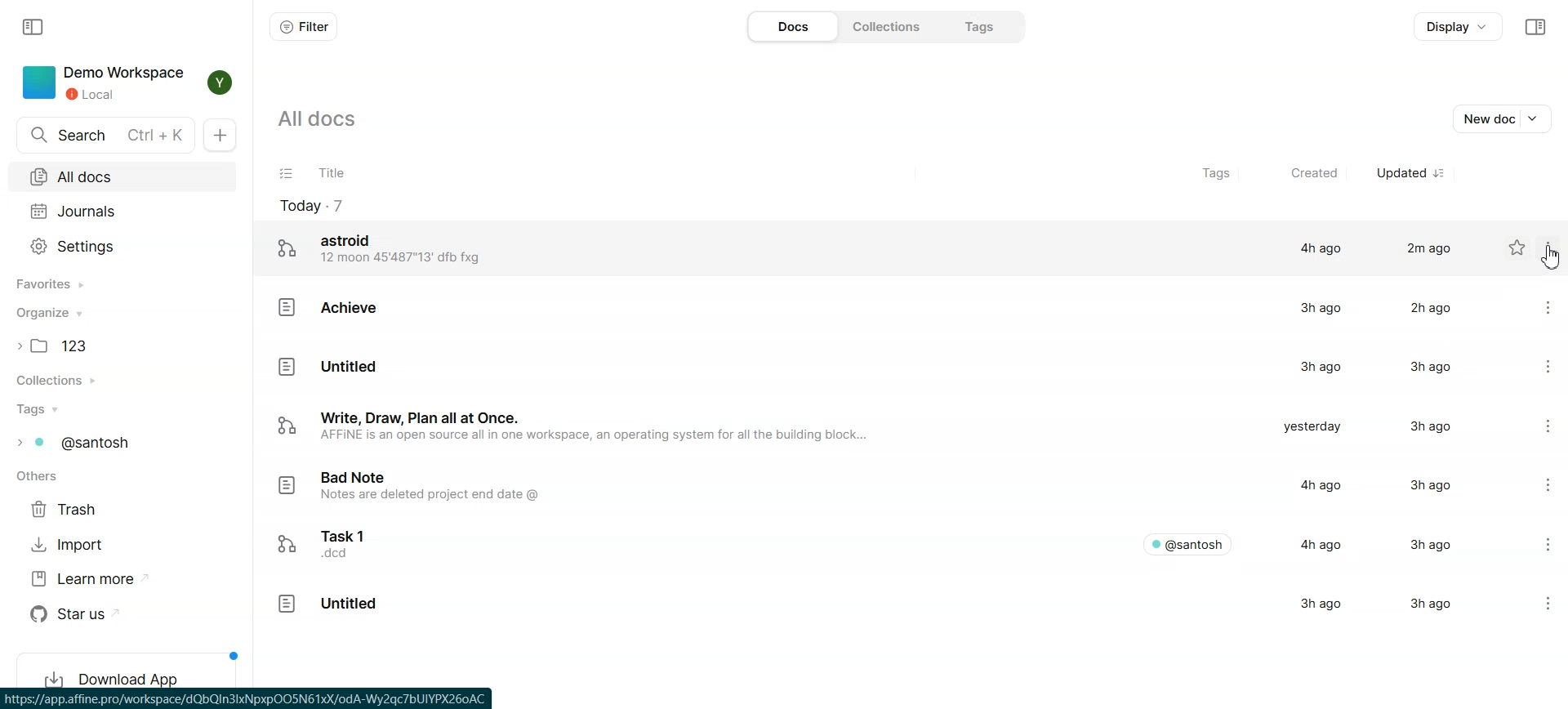 Image resolution: width=1568 pixels, height=709 pixels. Describe the element at coordinates (1533, 486) in the screenshot. I see `Settings` at that location.